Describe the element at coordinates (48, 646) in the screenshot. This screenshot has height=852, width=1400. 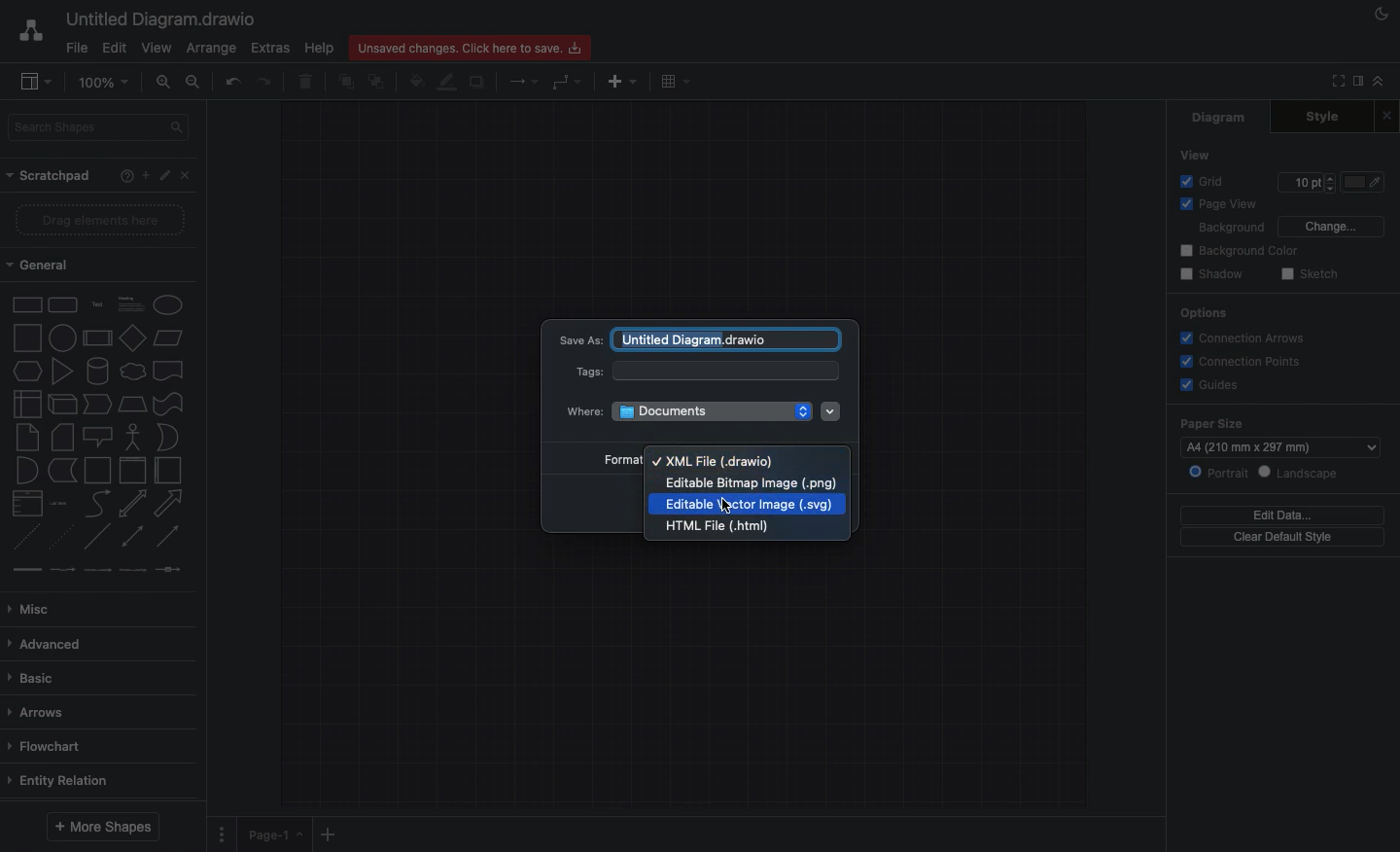
I see `Advanced` at that location.